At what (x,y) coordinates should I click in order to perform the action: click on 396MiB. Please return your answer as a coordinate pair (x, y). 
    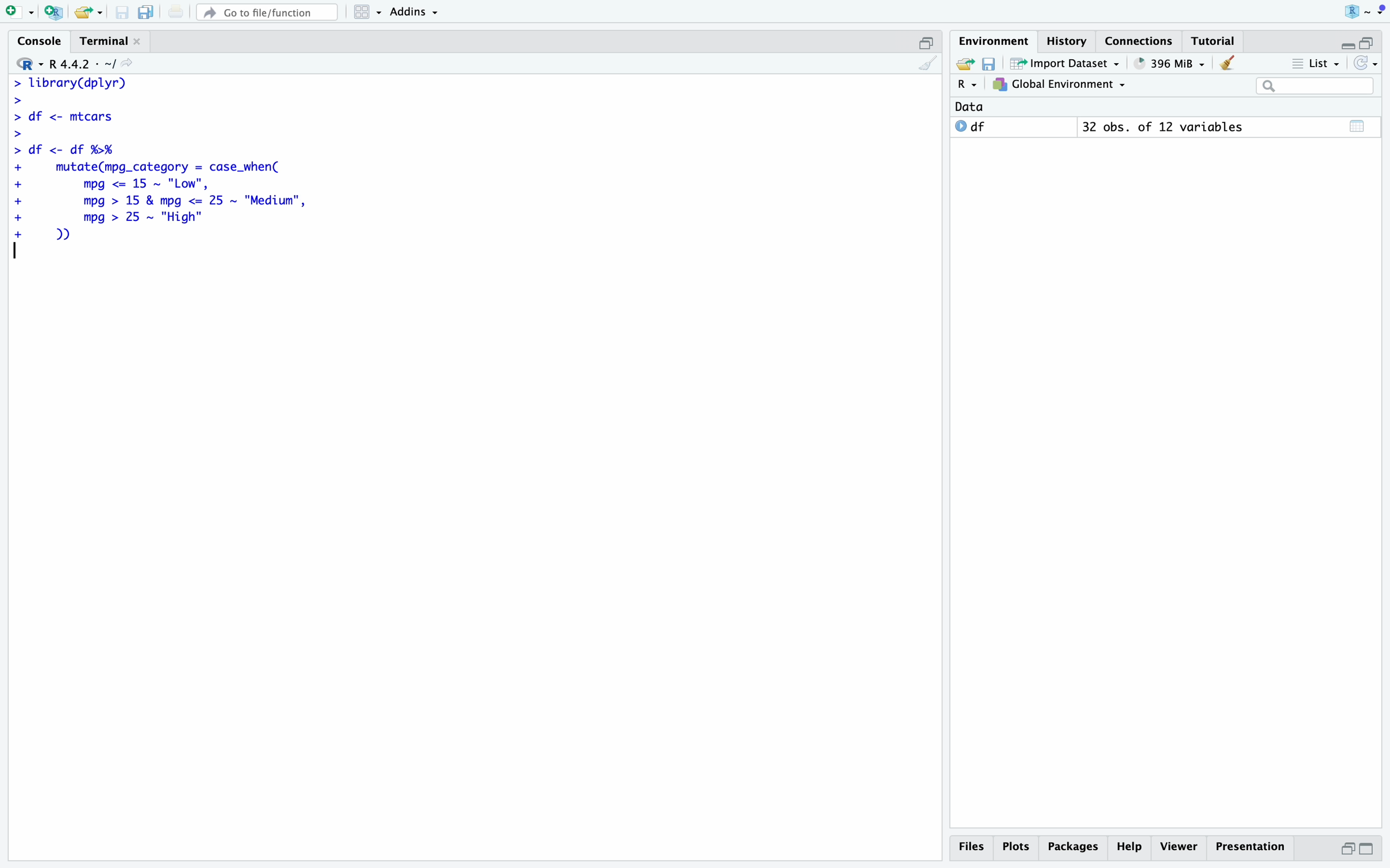
    Looking at the image, I should click on (1171, 64).